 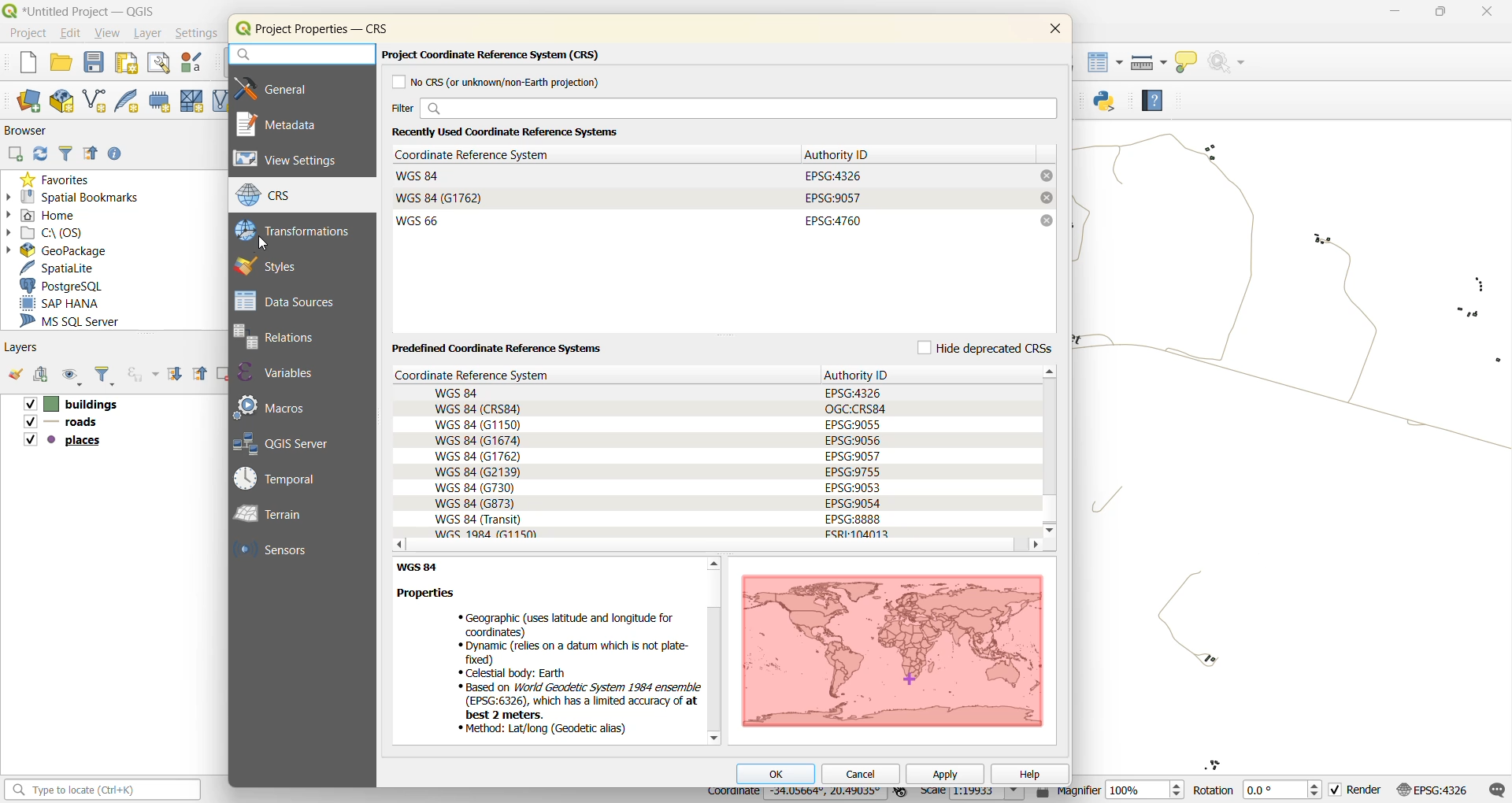 I want to click on geopackage, so click(x=58, y=250).